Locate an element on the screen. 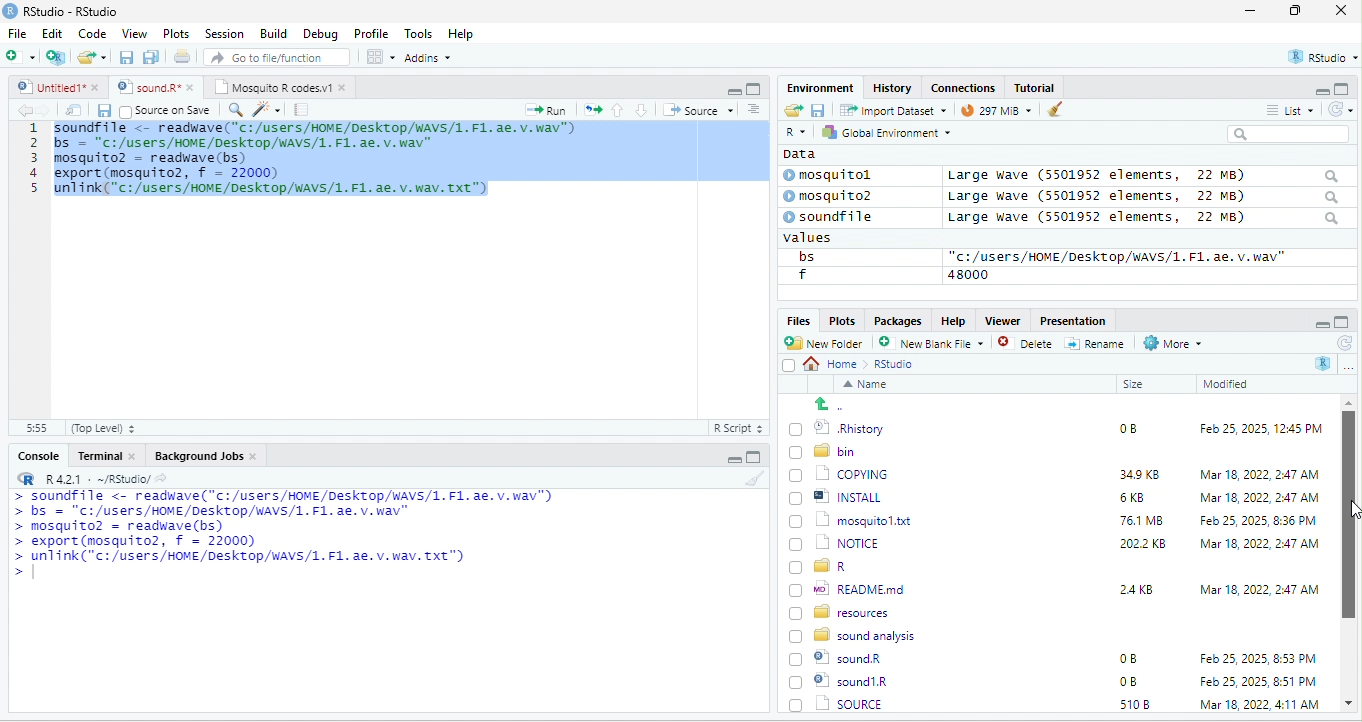  hy Global Environment ~ is located at coordinates (881, 132).